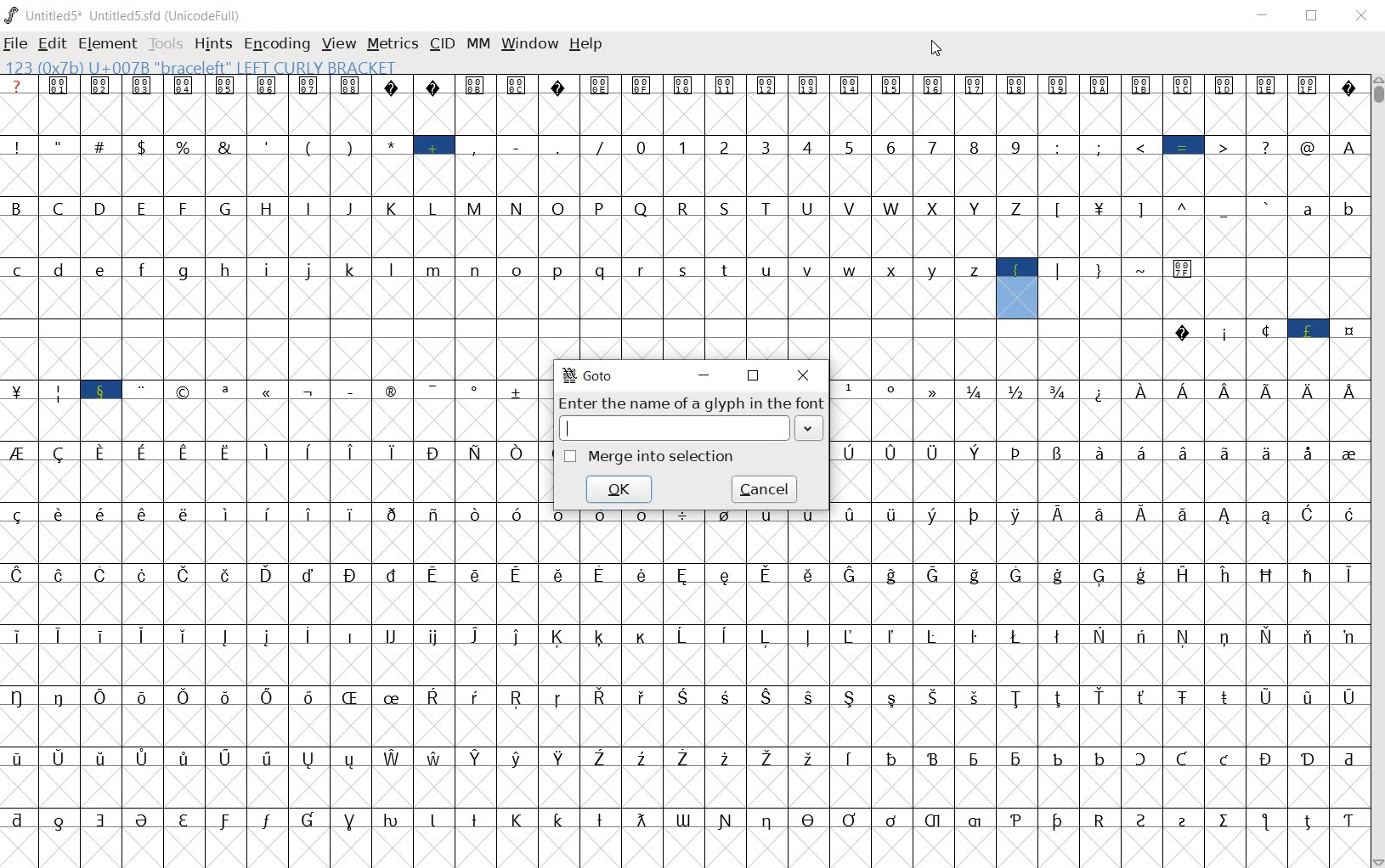 The height and width of the screenshot is (868, 1385). What do you see at coordinates (212, 45) in the screenshot?
I see `HINTS` at bounding box center [212, 45].